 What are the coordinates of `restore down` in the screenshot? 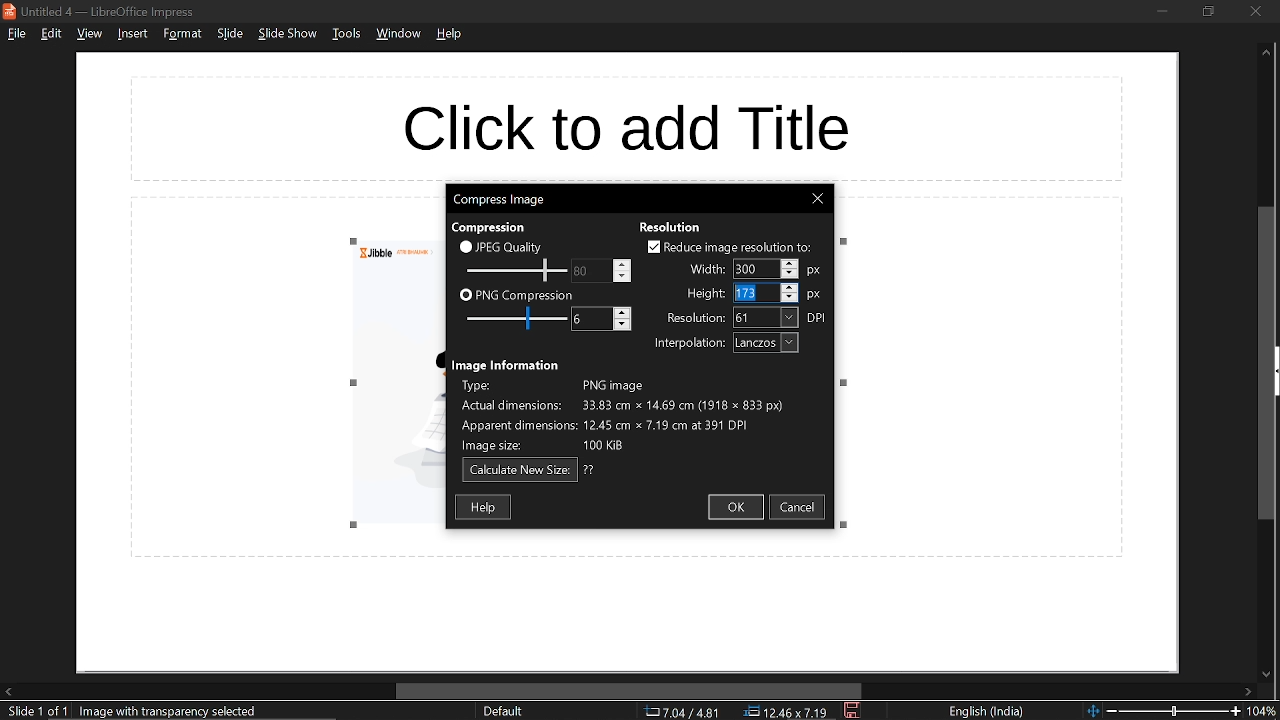 It's located at (1210, 12).